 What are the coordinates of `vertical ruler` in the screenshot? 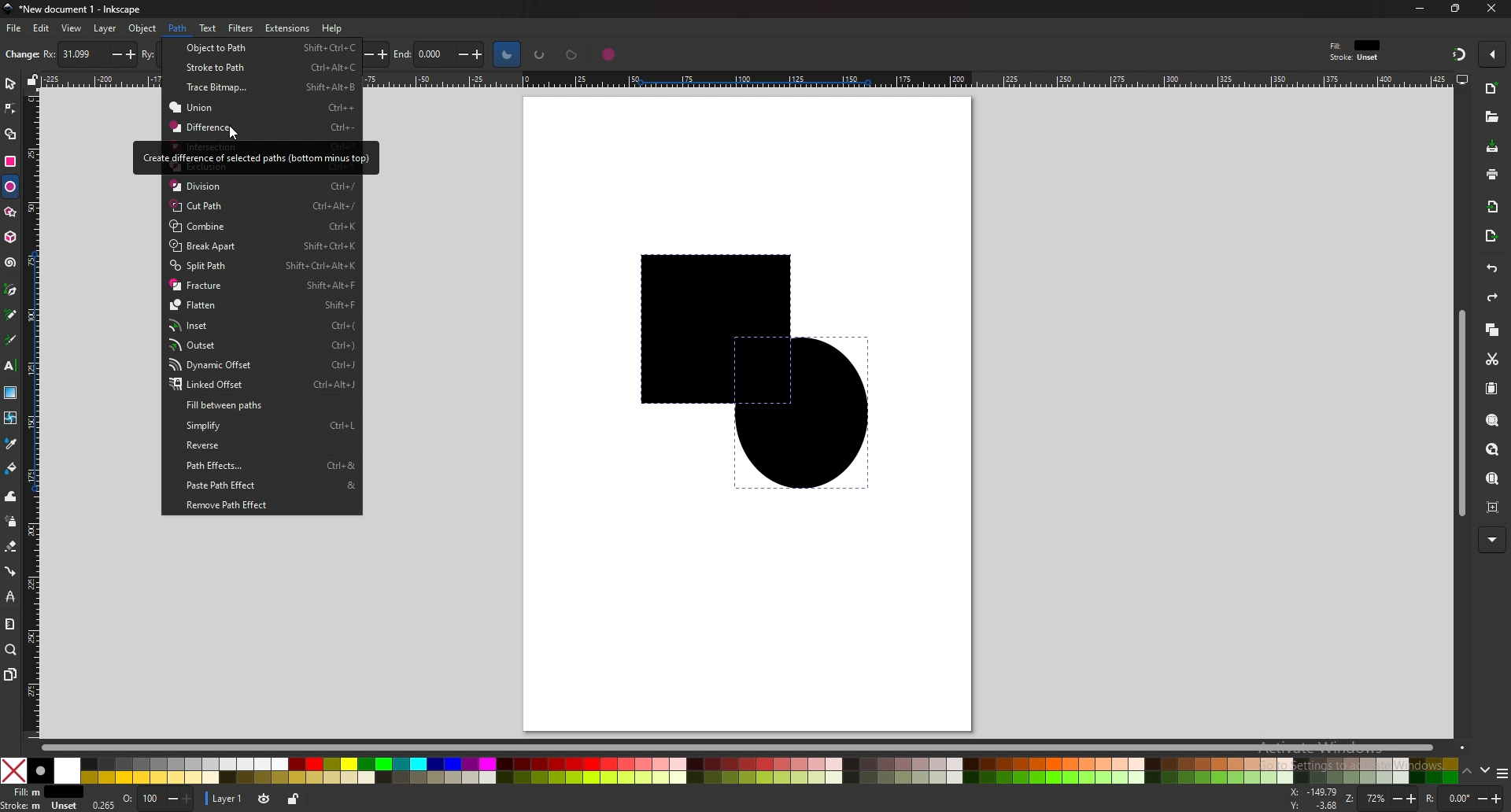 It's located at (35, 413).